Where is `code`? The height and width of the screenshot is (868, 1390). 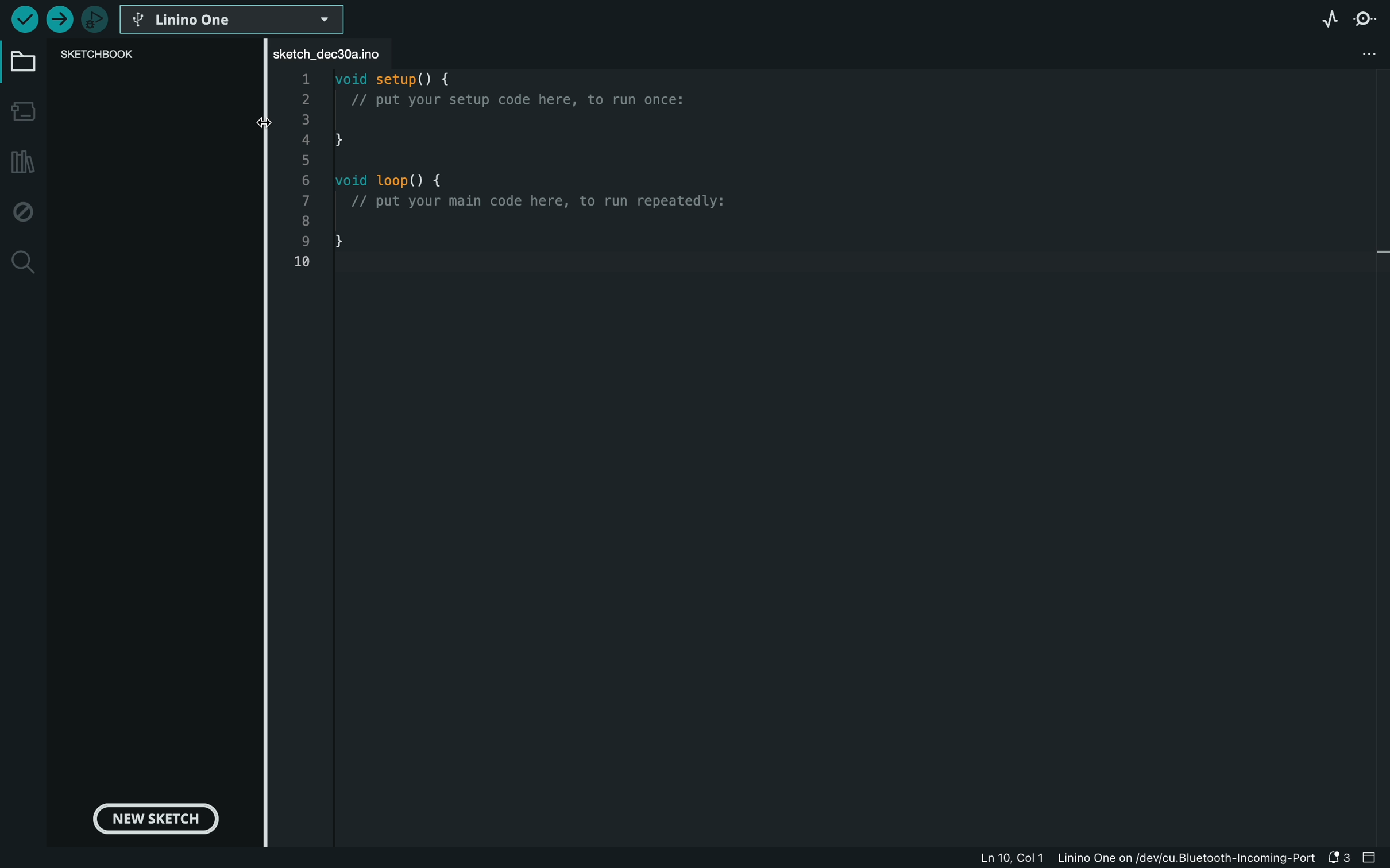 code is located at coordinates (507, 180).